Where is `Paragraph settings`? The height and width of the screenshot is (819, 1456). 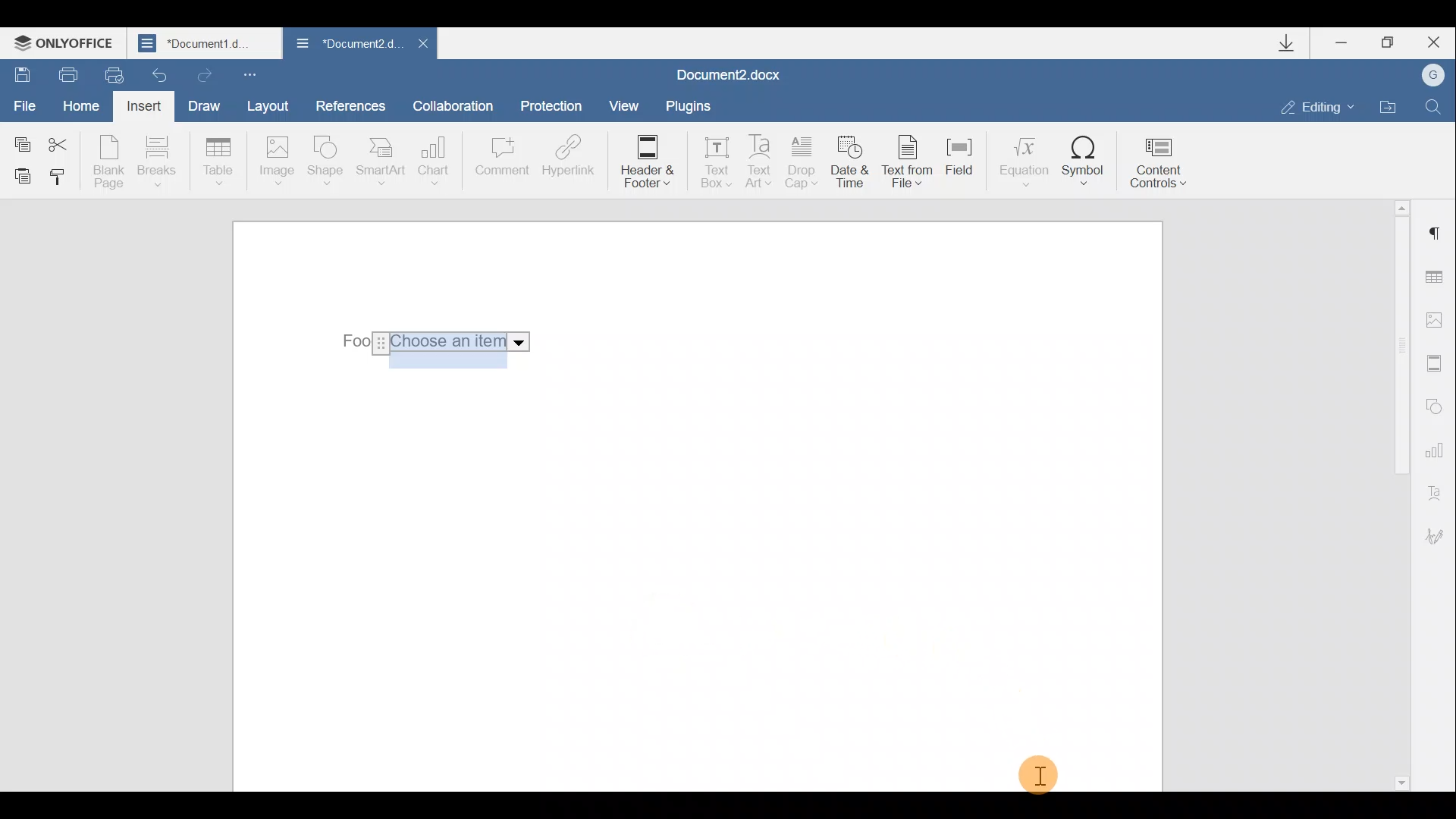 Paragraph settings is located at coordinates (1436, 234).